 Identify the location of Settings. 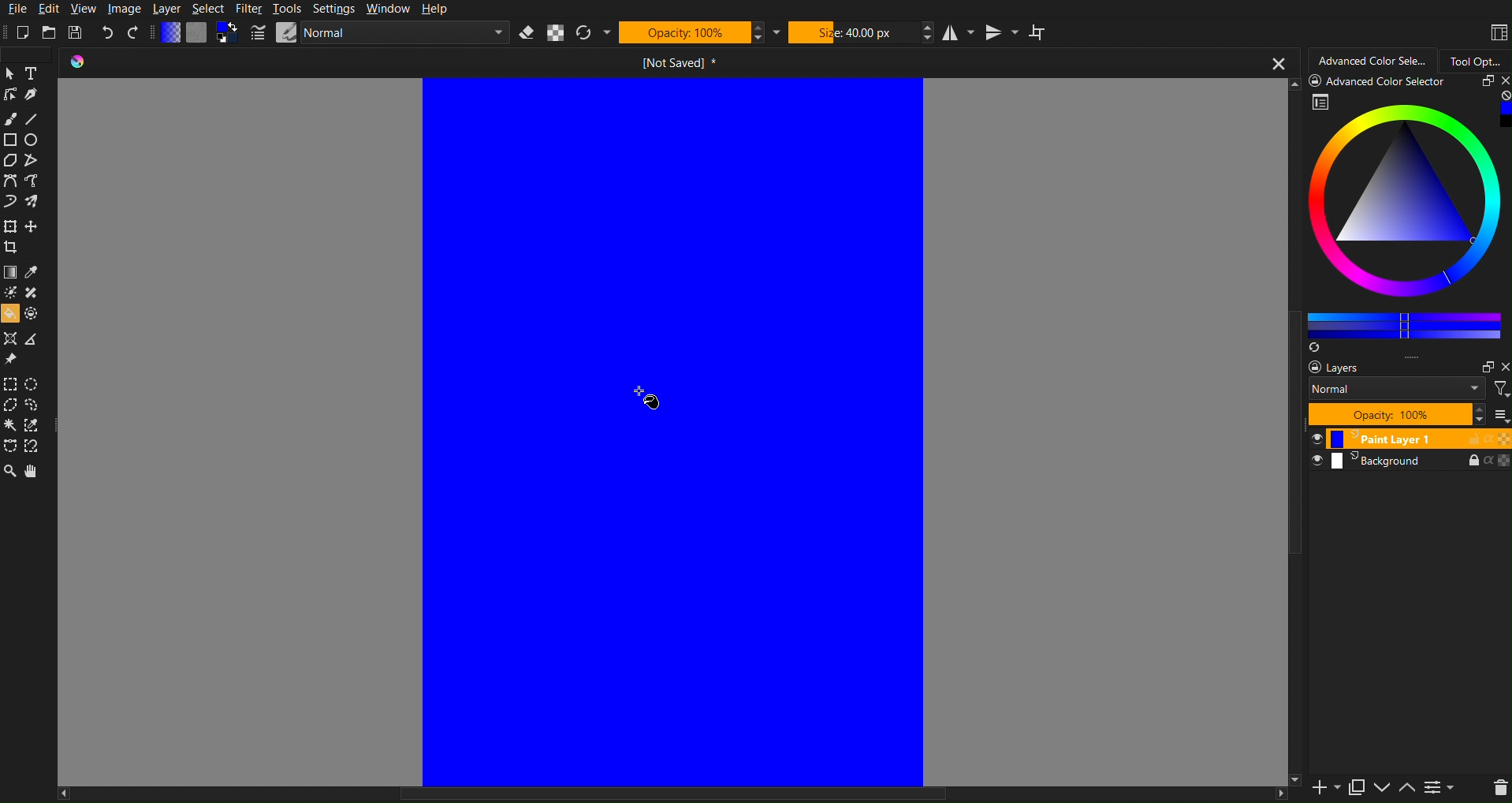
(333, 9).